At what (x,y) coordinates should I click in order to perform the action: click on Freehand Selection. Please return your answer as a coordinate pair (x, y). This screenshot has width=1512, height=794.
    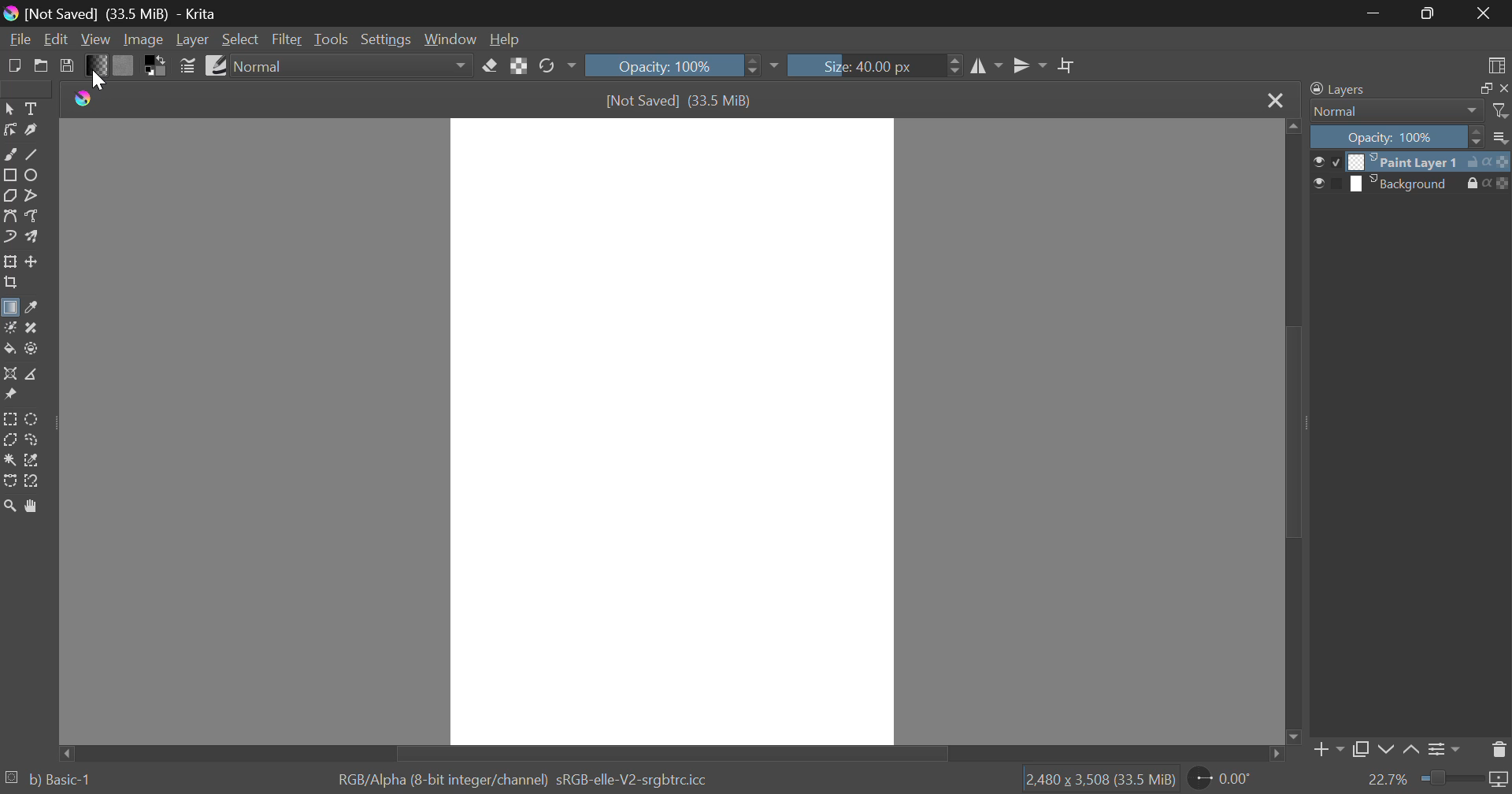
    Looking at the image, I should click on (32, 440).